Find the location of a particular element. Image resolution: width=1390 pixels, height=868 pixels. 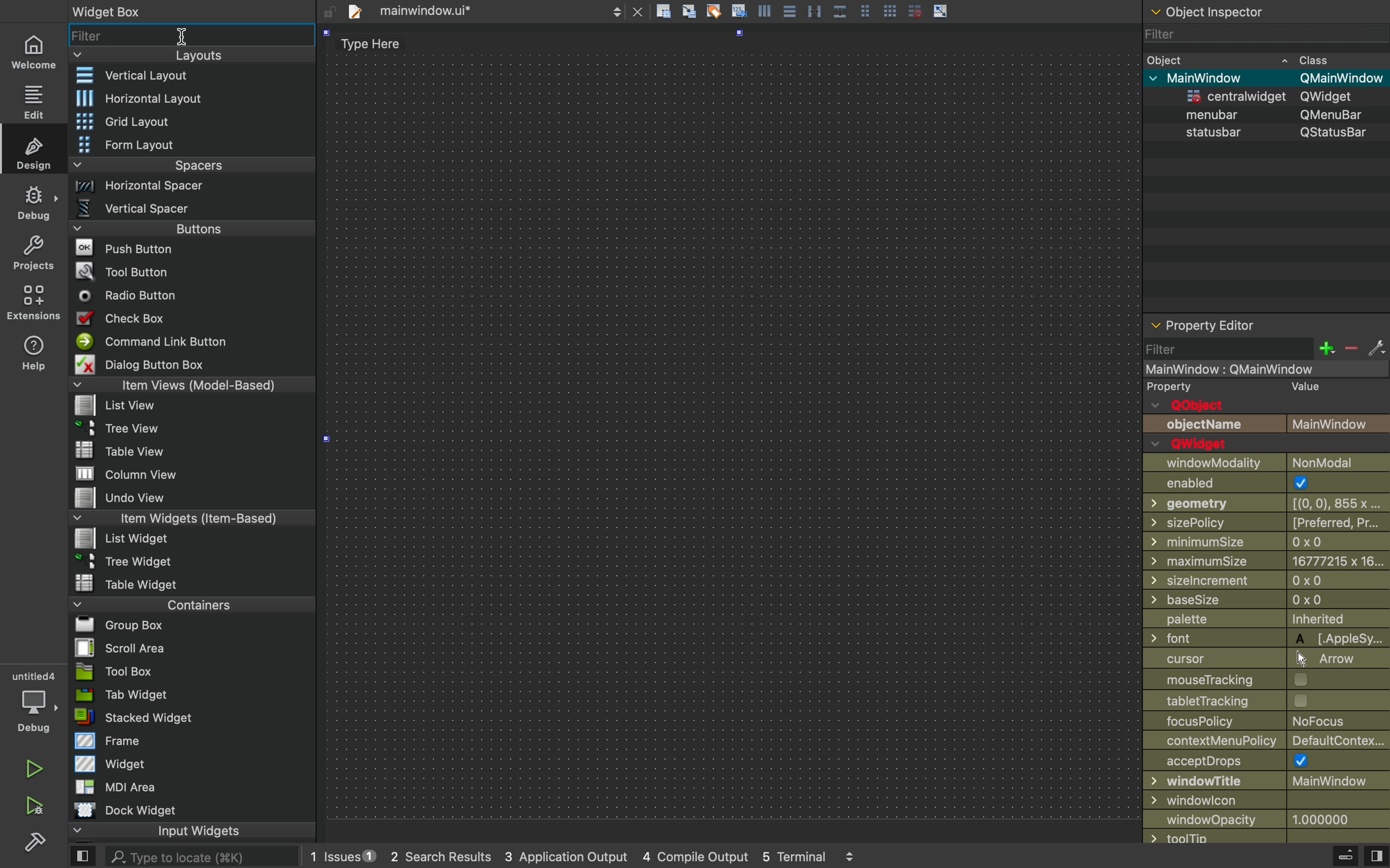

debug is located at coordinates (33, 204).